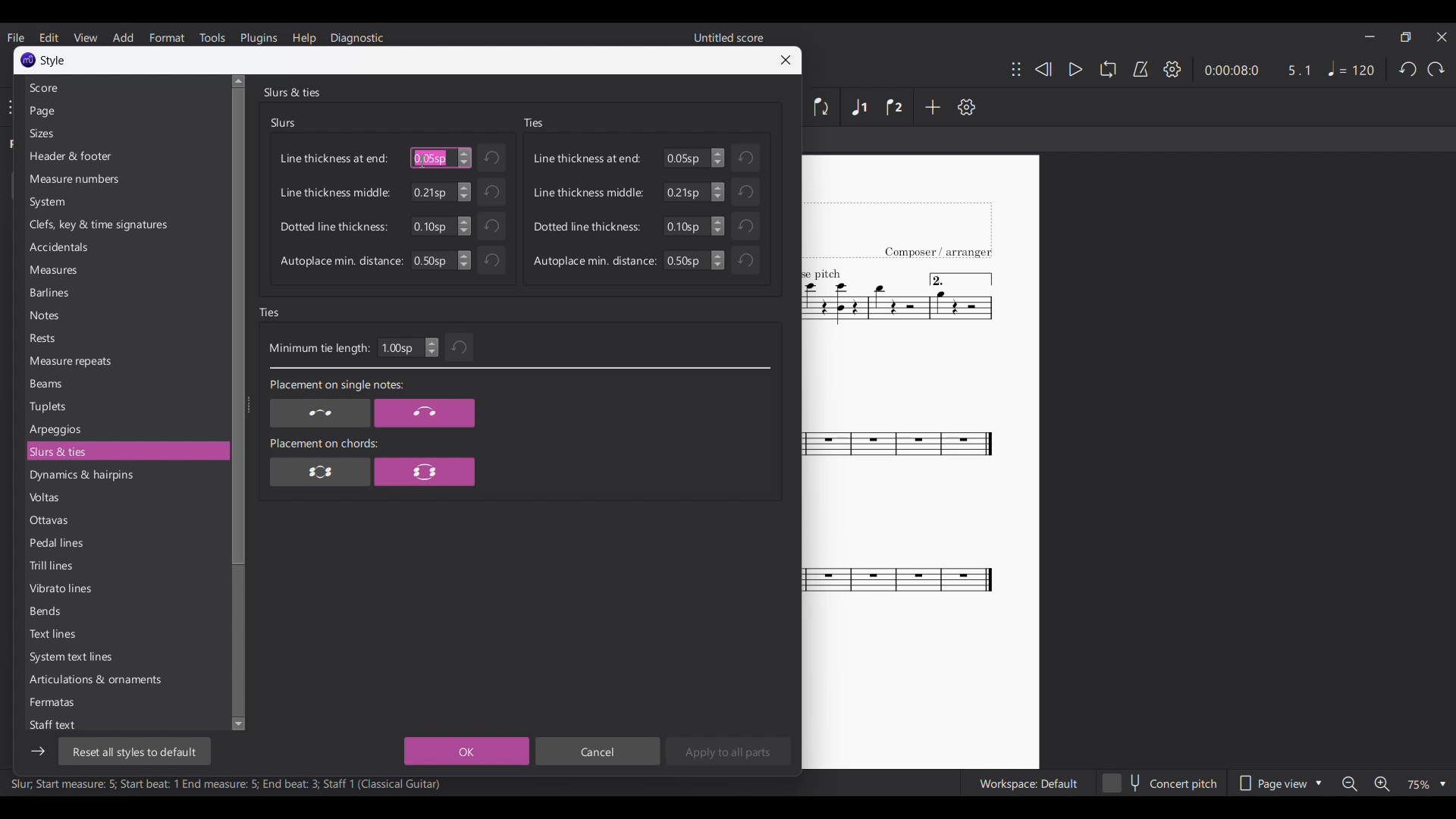 The width and height of the screenshot is (1456, 819). I want to click on Increase/Decrease line thickness middle, so click(464, 192).